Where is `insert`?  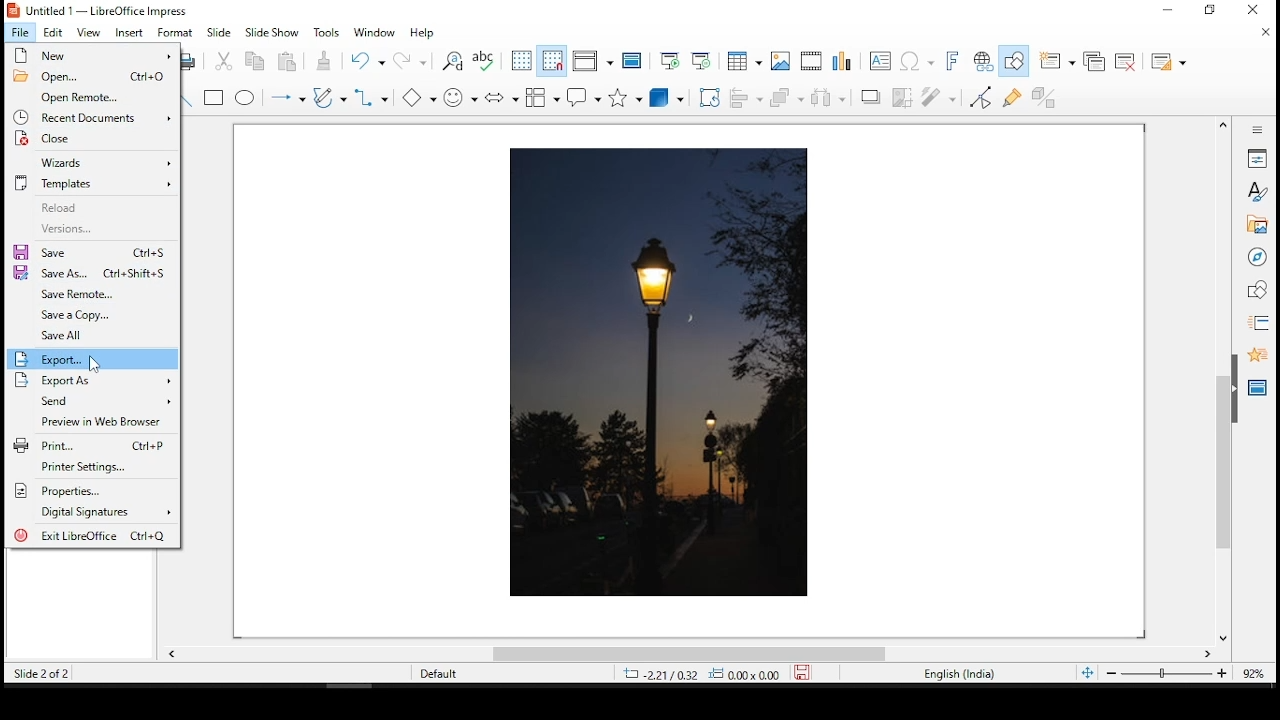 insert is located at coordinates (130, 33).